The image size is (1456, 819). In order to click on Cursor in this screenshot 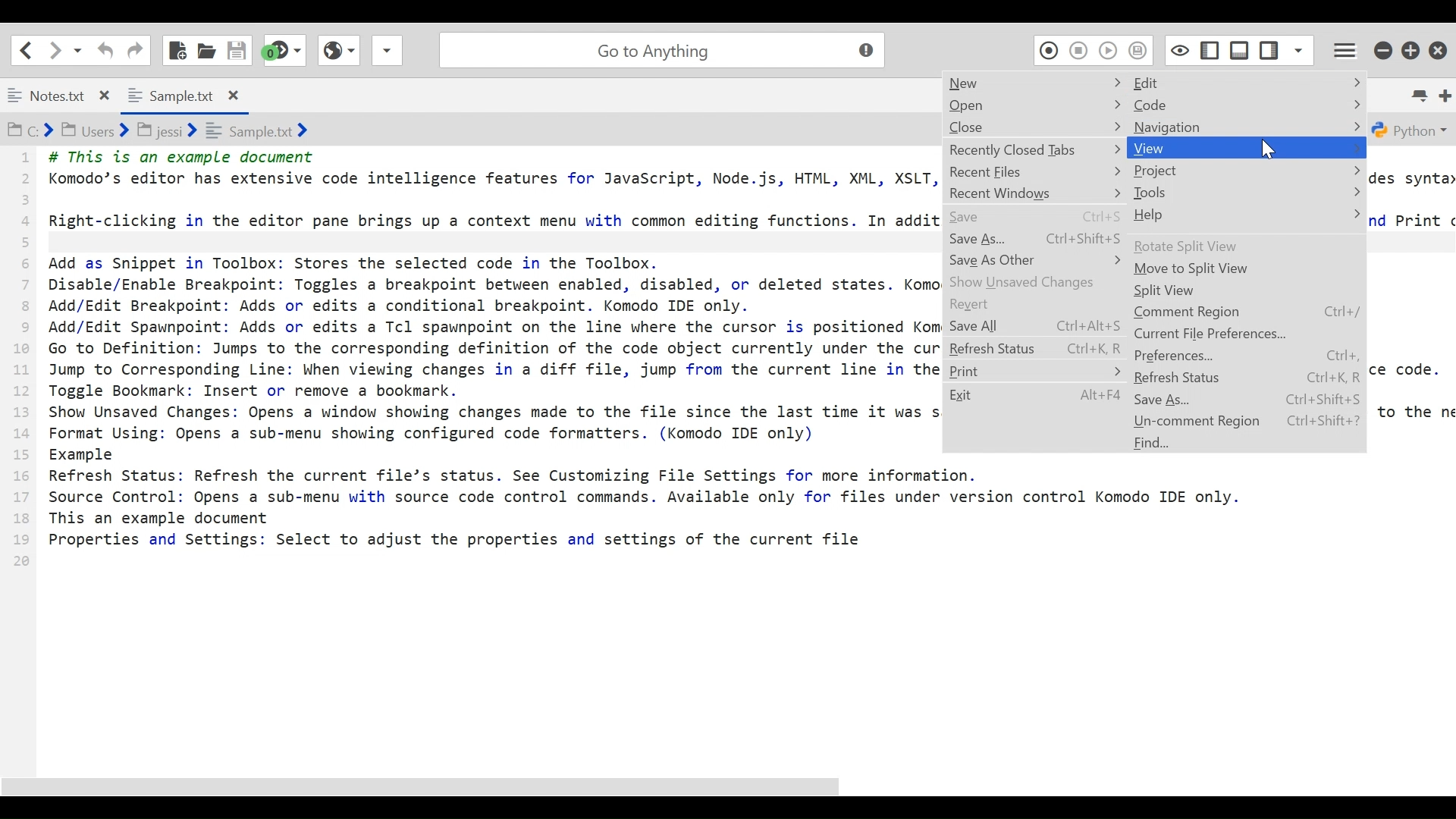, I will do `click(1266, 152)`.